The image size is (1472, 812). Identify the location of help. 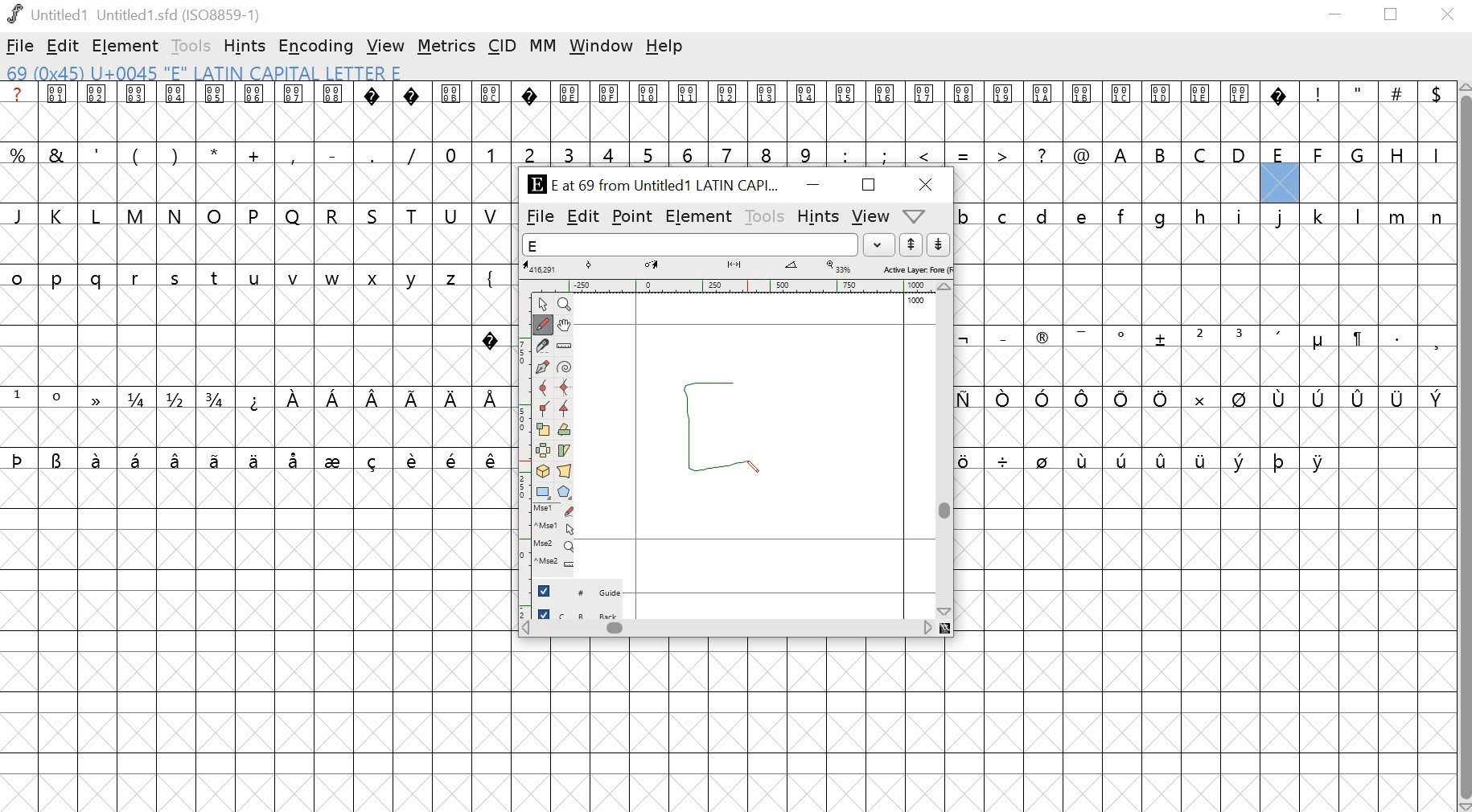
(664, 47).